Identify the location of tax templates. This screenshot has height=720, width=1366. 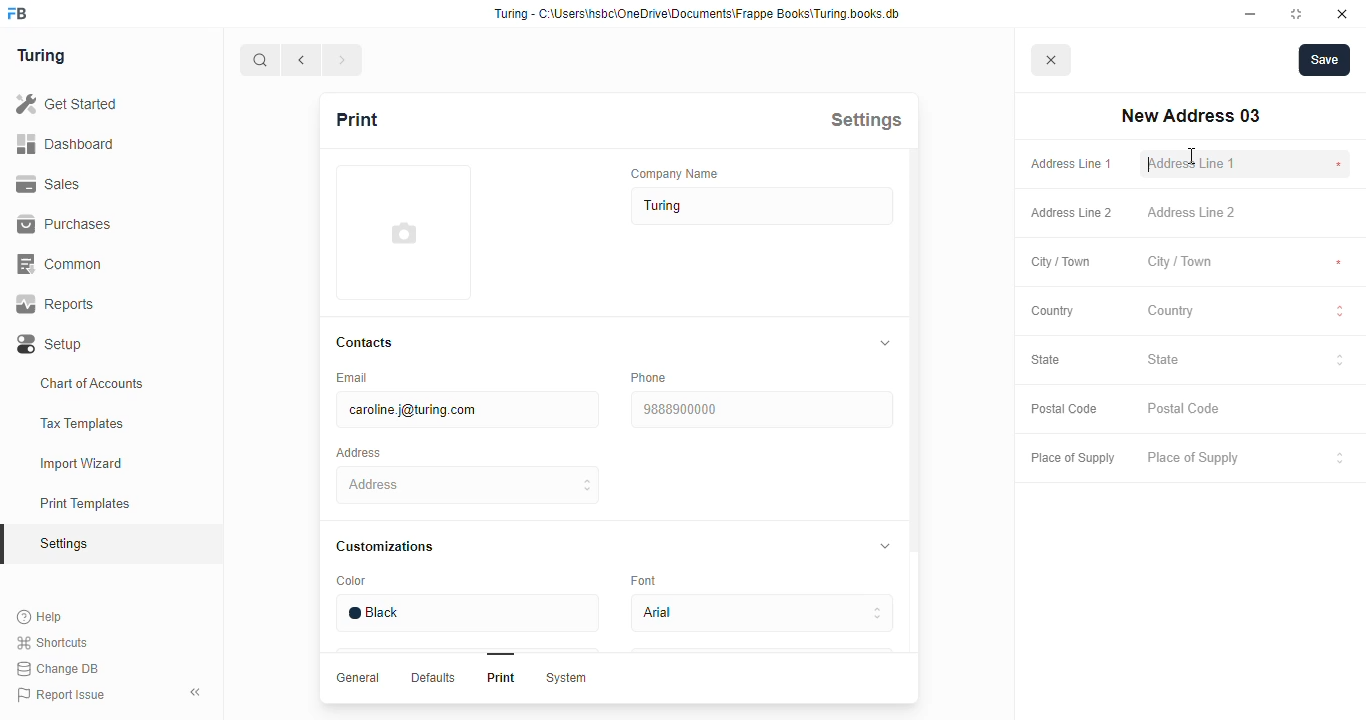
(81, 423).